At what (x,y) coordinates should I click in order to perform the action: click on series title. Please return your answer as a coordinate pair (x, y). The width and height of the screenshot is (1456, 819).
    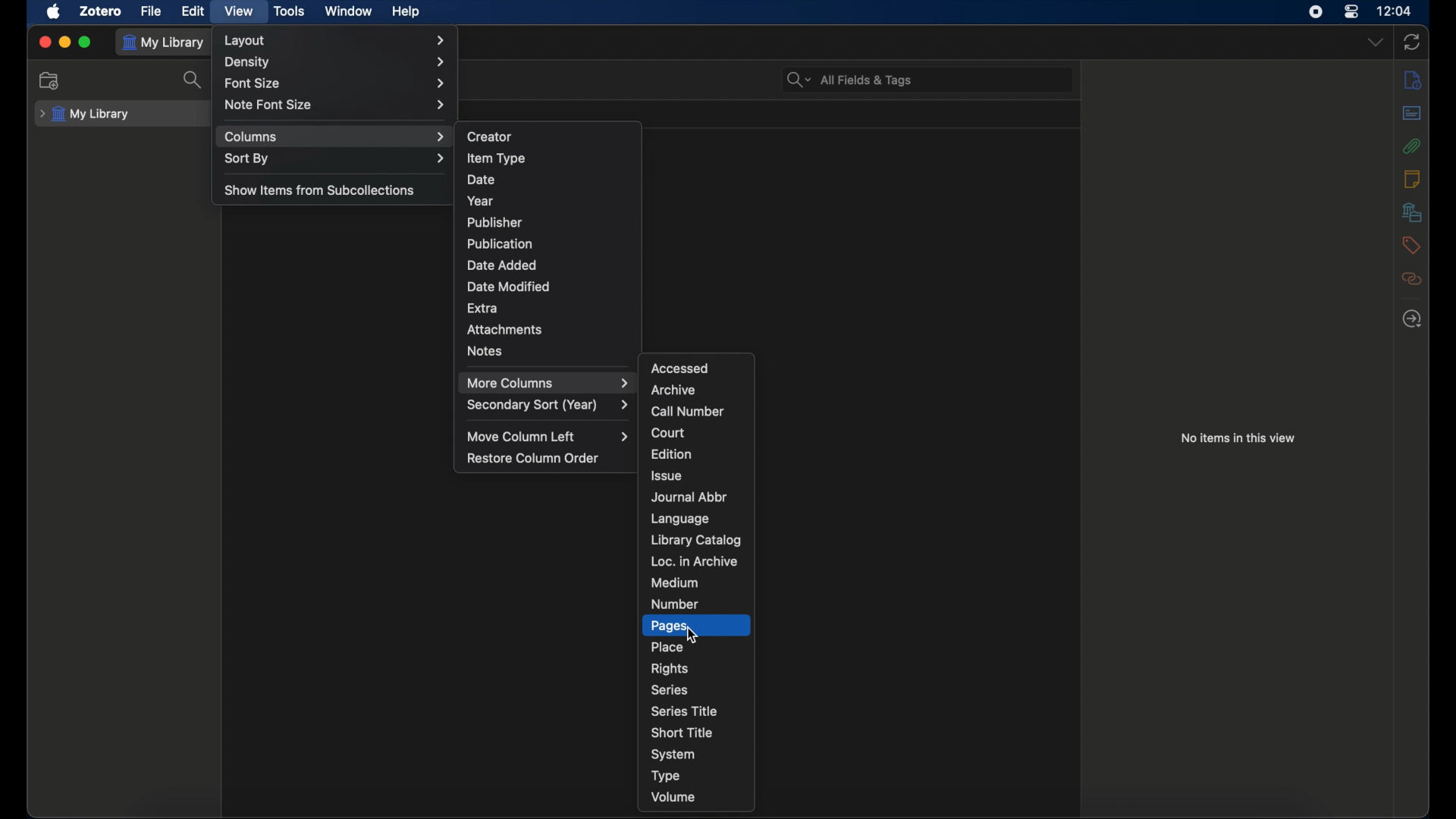
    Looking at the image, I should click on (686, 711).